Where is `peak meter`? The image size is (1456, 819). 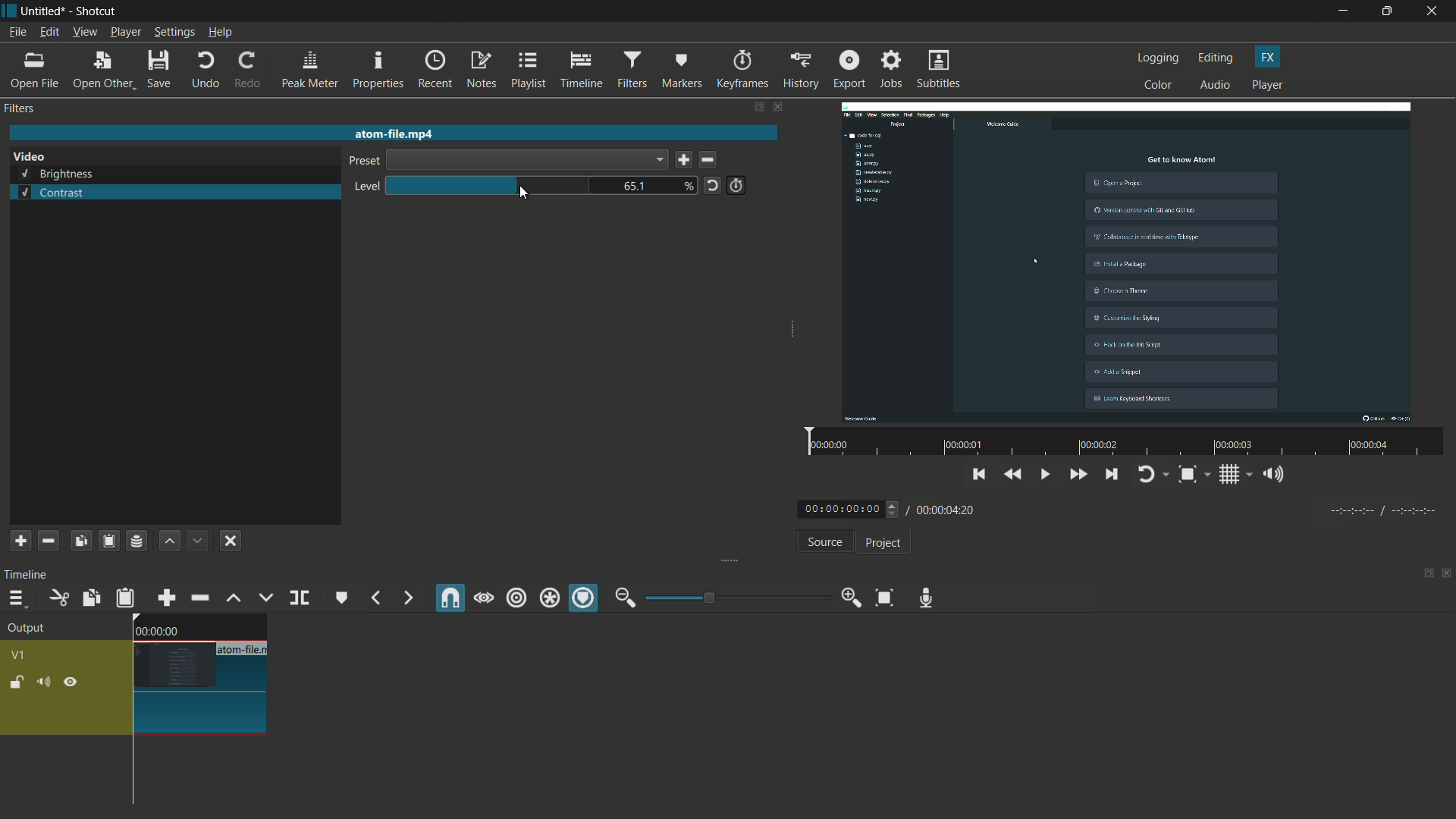 peak meter is located at coordinates (309, 70).